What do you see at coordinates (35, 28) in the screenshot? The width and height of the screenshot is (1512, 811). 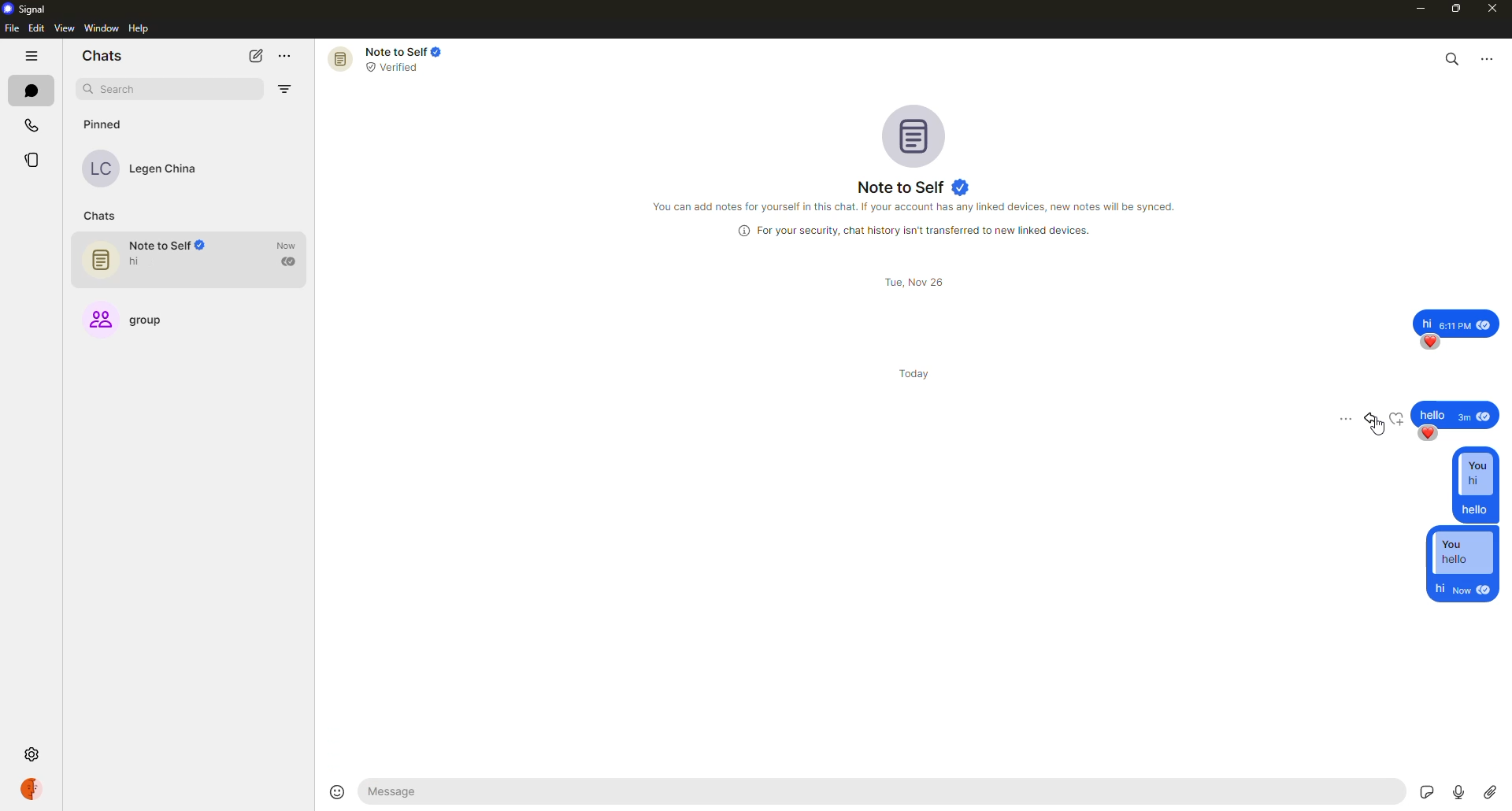 I see `edit` at bounding box center [35, 28].